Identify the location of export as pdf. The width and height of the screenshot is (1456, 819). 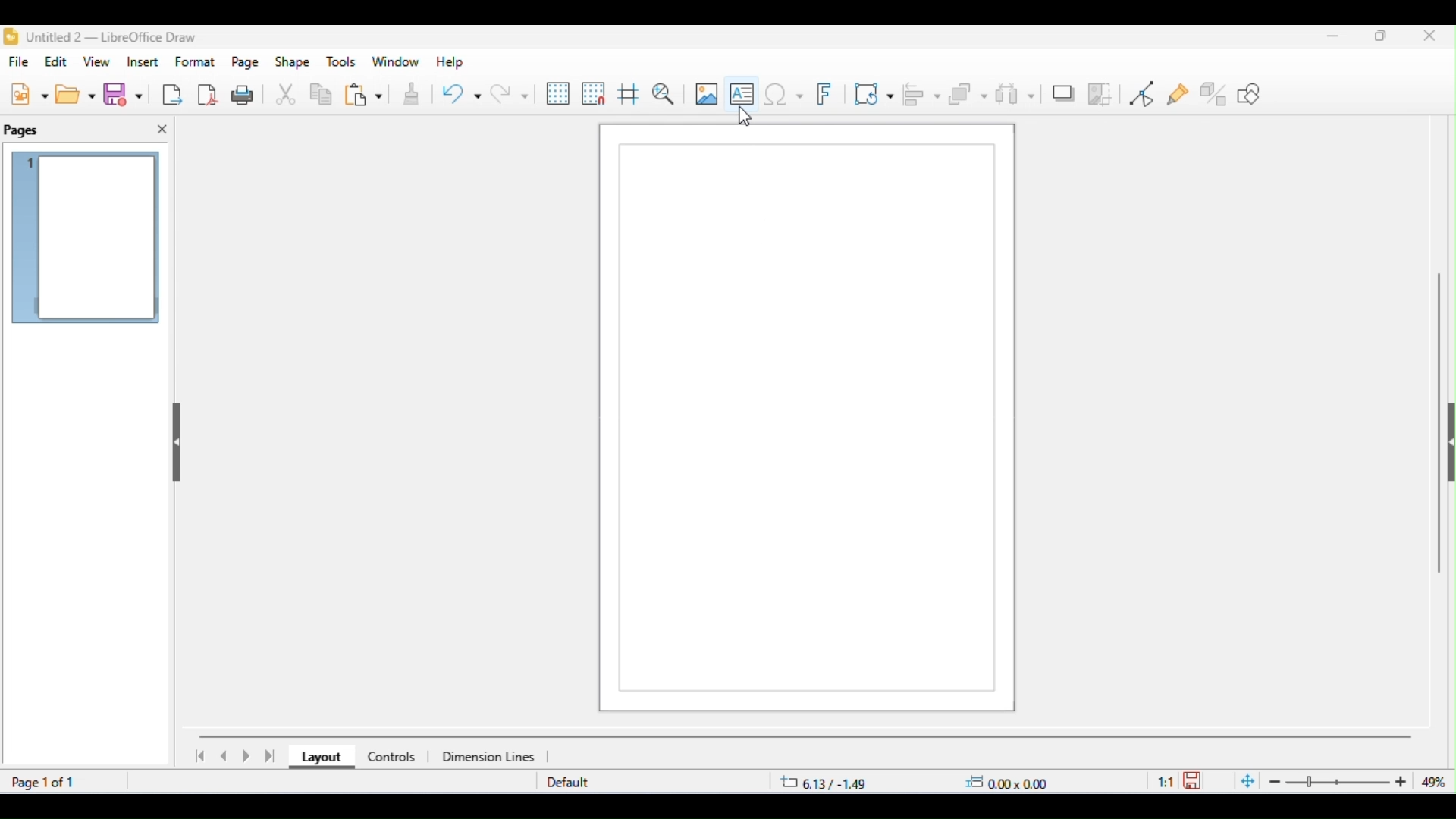
(209, 93).